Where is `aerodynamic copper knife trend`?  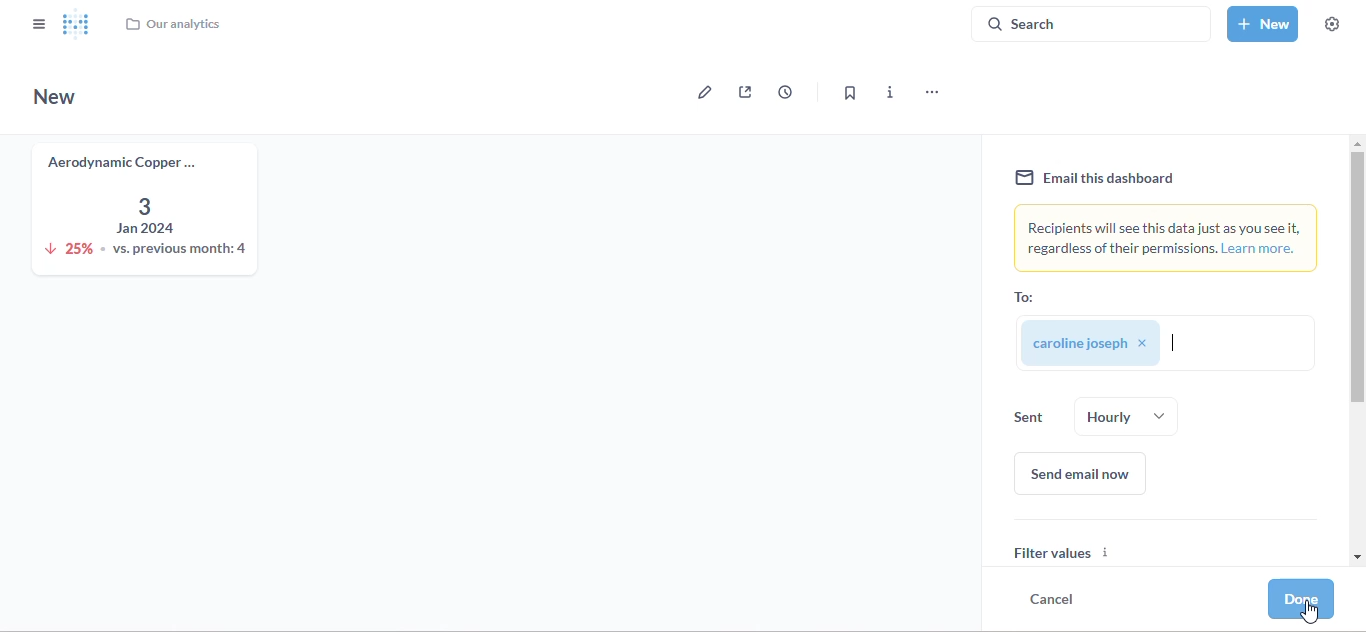
aerodynamic copper knife trend is located at coordinates (141, 207).